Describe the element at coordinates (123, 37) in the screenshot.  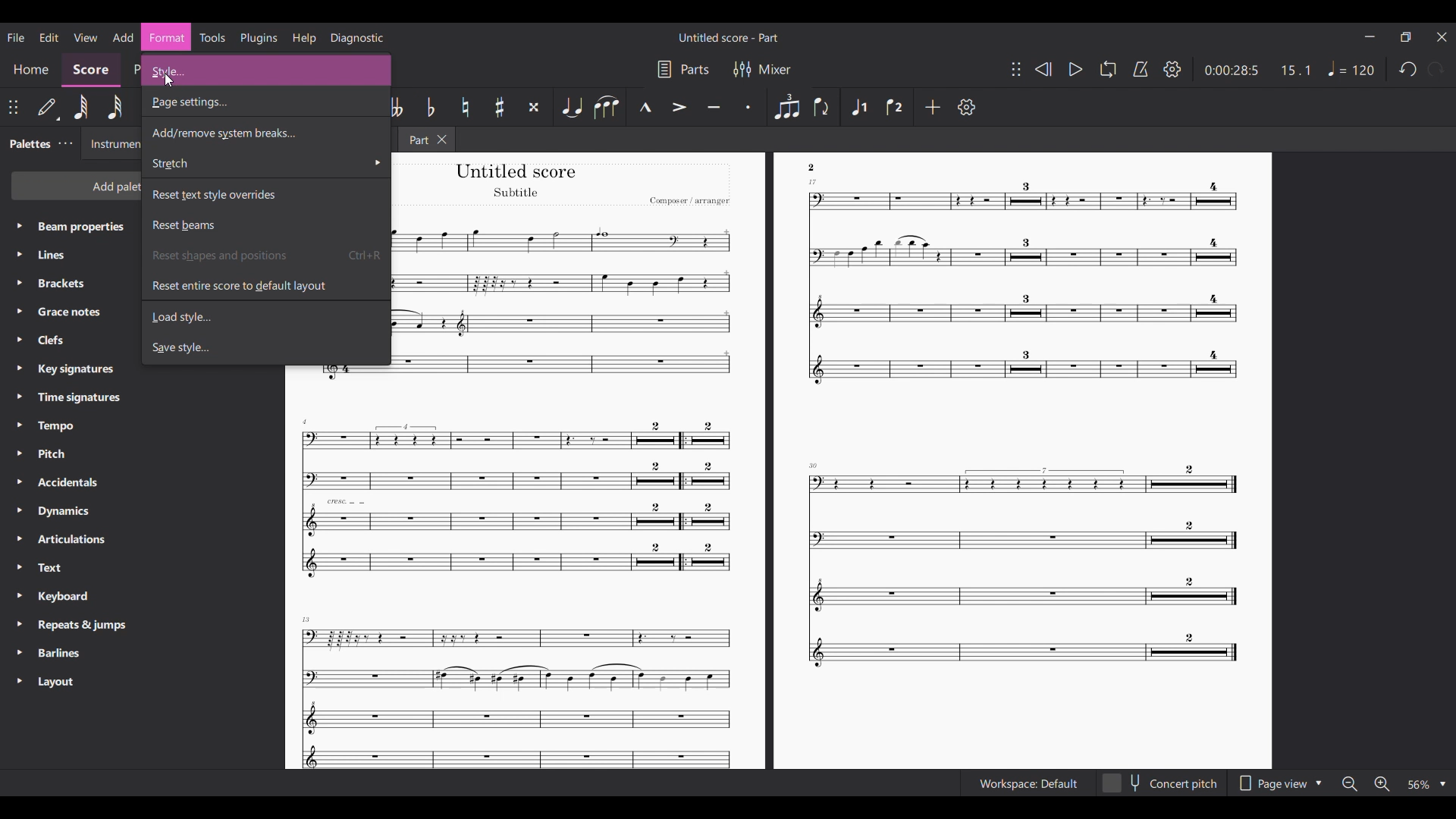
I see `Add menu` at that location.